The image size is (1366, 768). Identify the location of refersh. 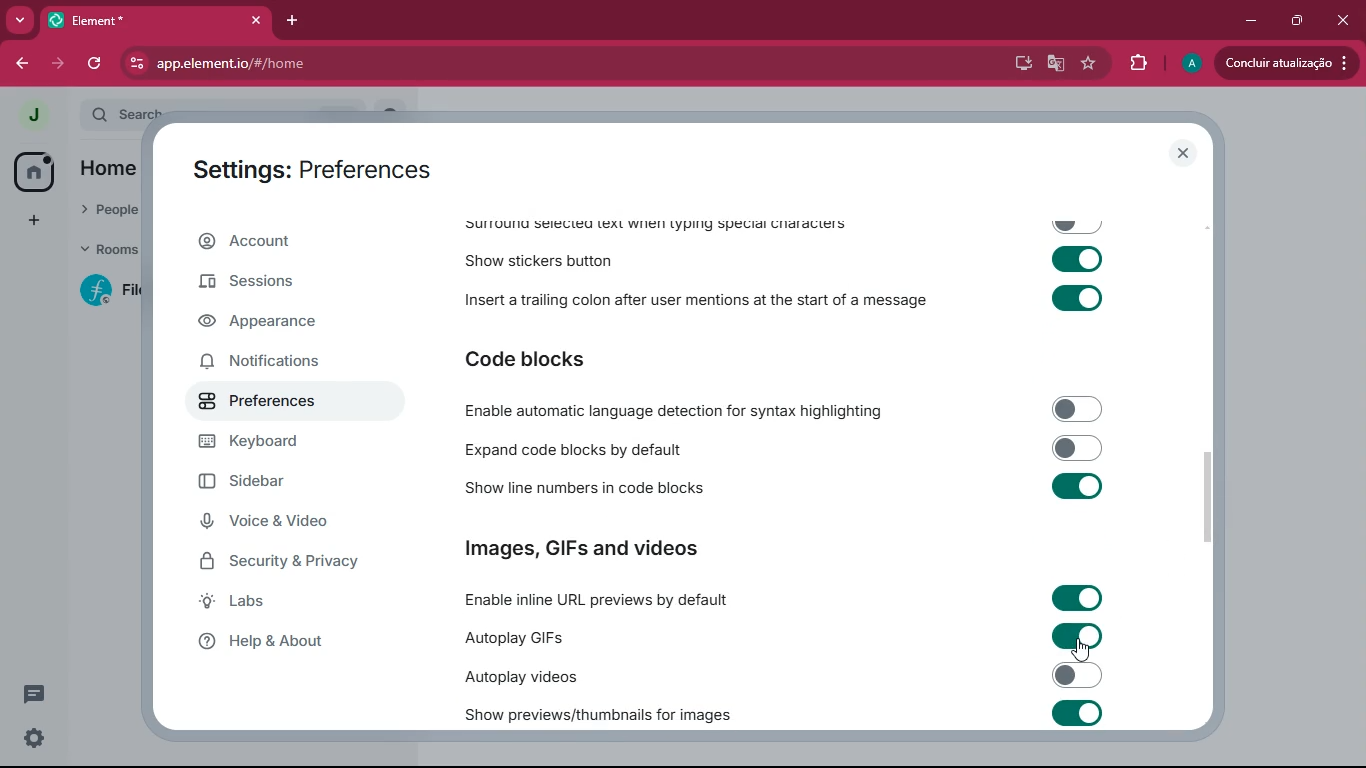
(96, 63).